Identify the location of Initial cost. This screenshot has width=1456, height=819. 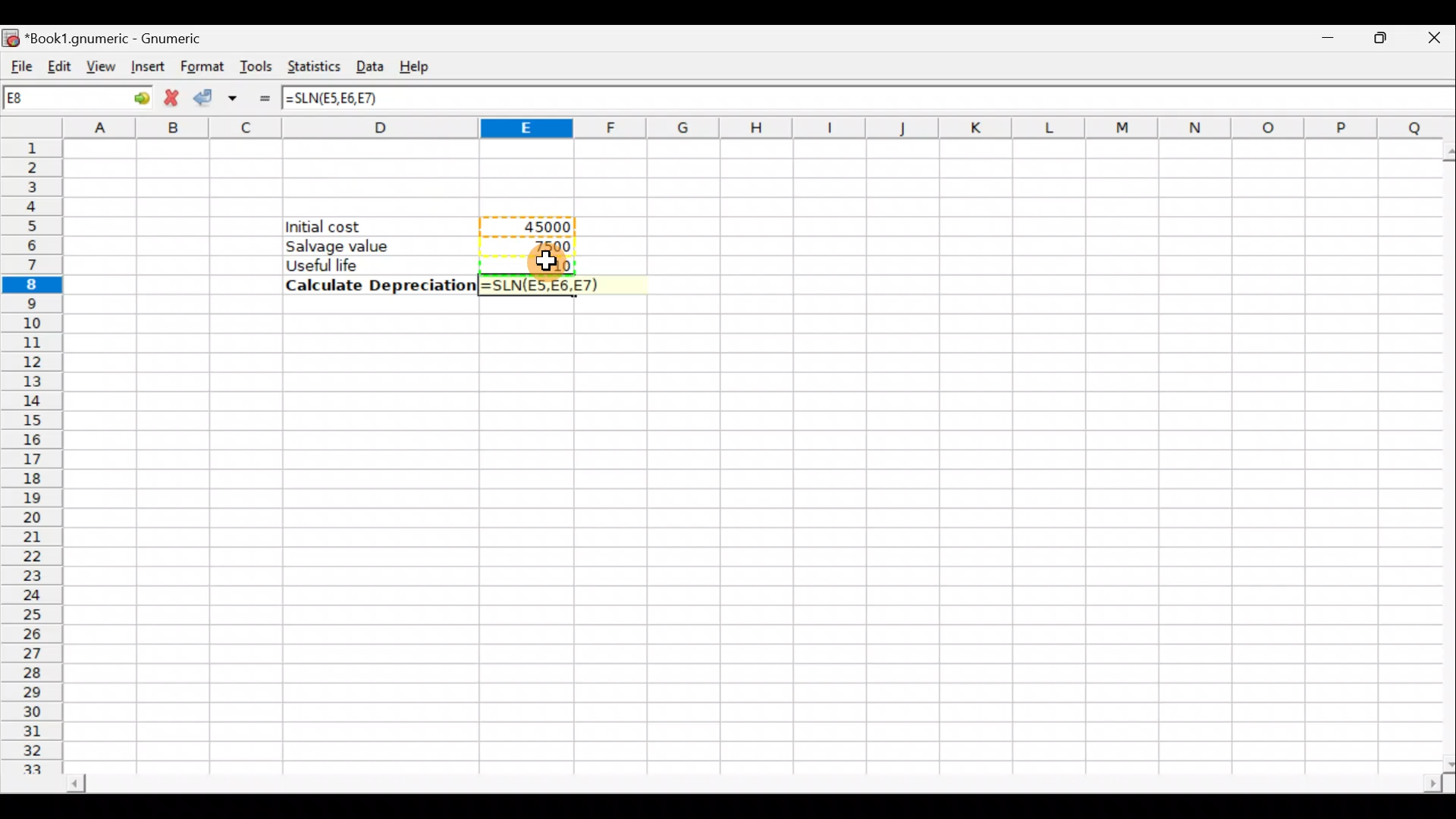
(382, 227).